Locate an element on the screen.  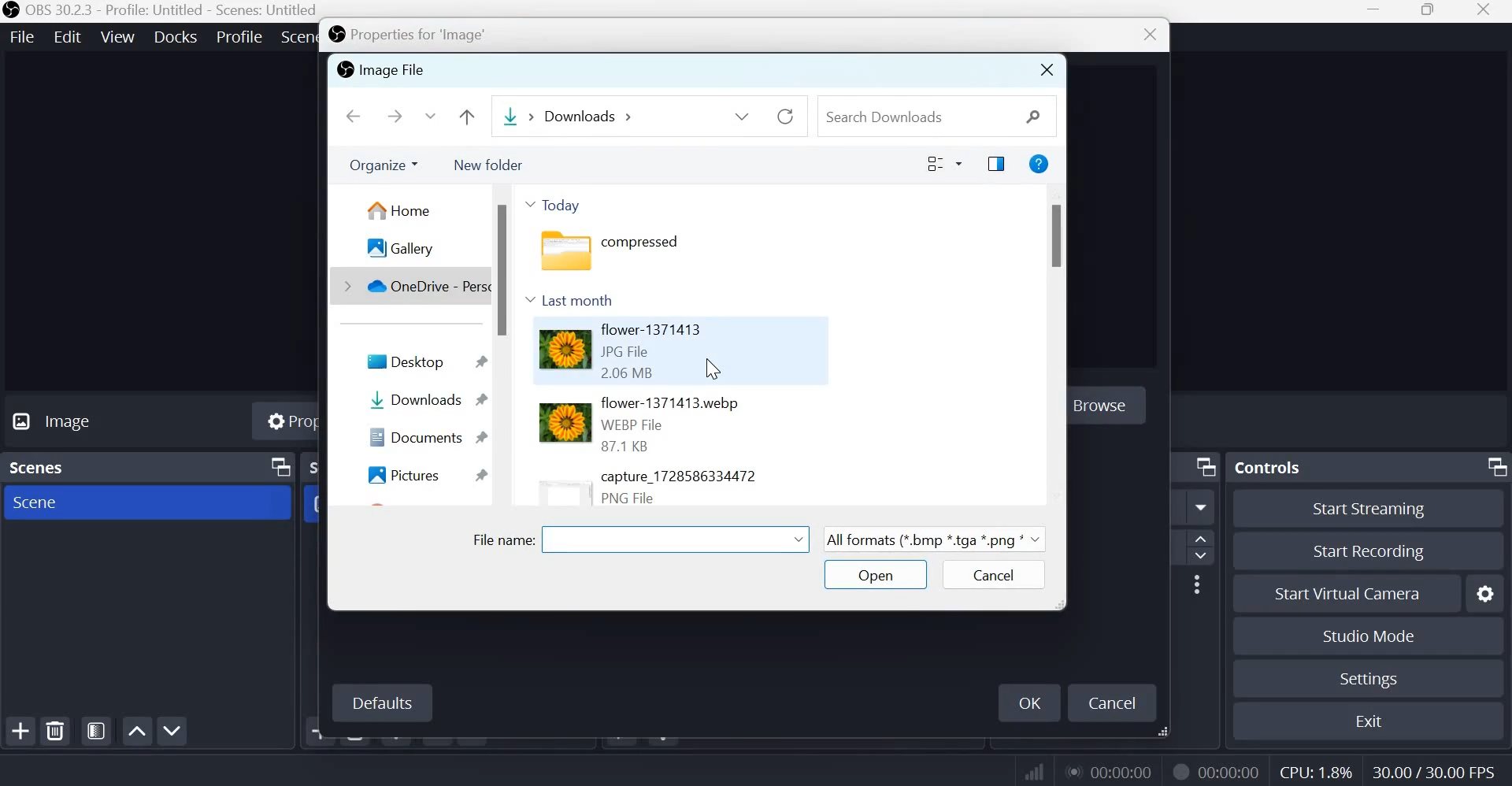
capture_1728586334472 PNG file is located at coordinates (644, 487).